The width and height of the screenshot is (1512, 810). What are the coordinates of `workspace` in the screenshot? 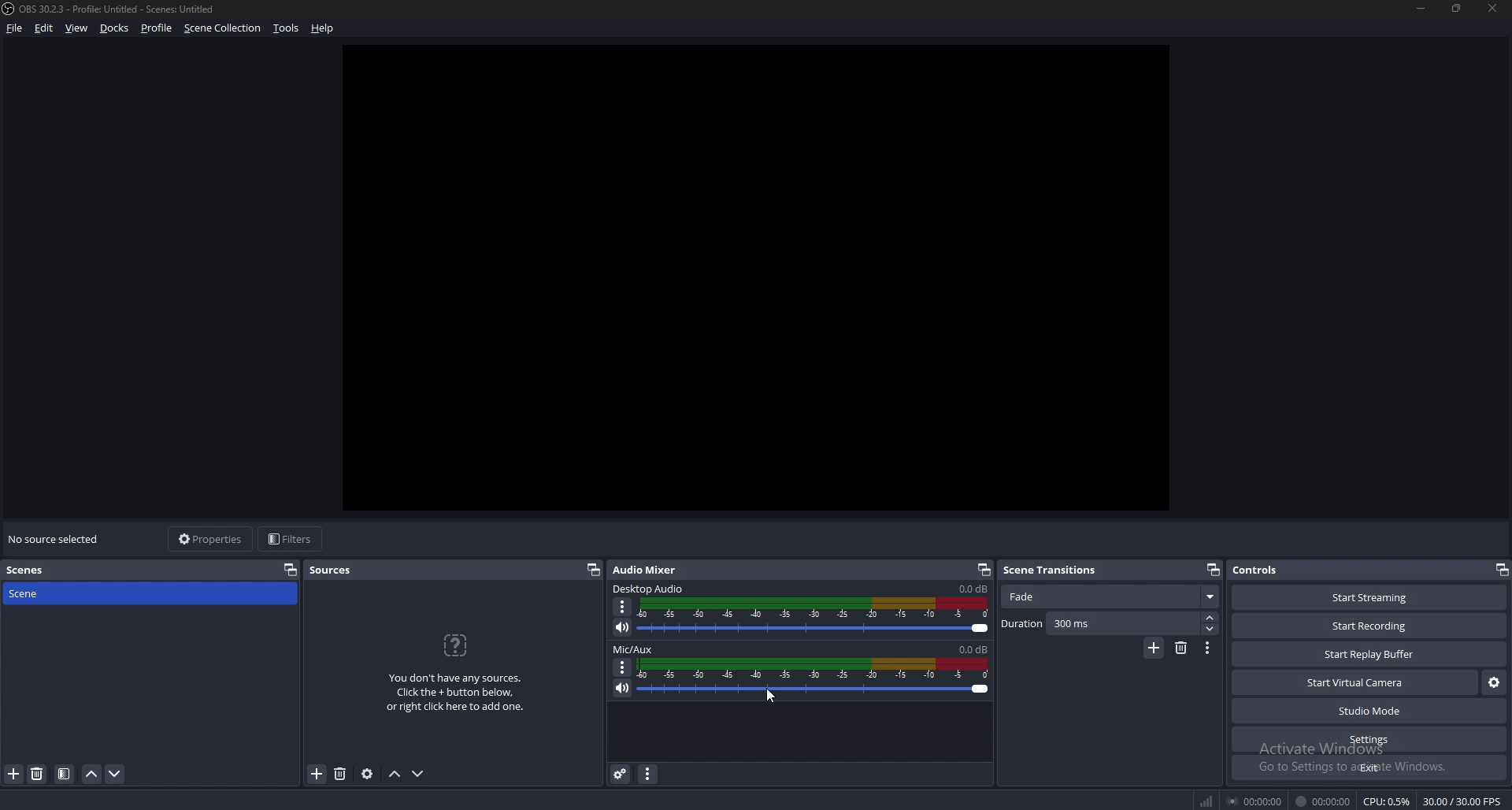 It's located at (761, 279).